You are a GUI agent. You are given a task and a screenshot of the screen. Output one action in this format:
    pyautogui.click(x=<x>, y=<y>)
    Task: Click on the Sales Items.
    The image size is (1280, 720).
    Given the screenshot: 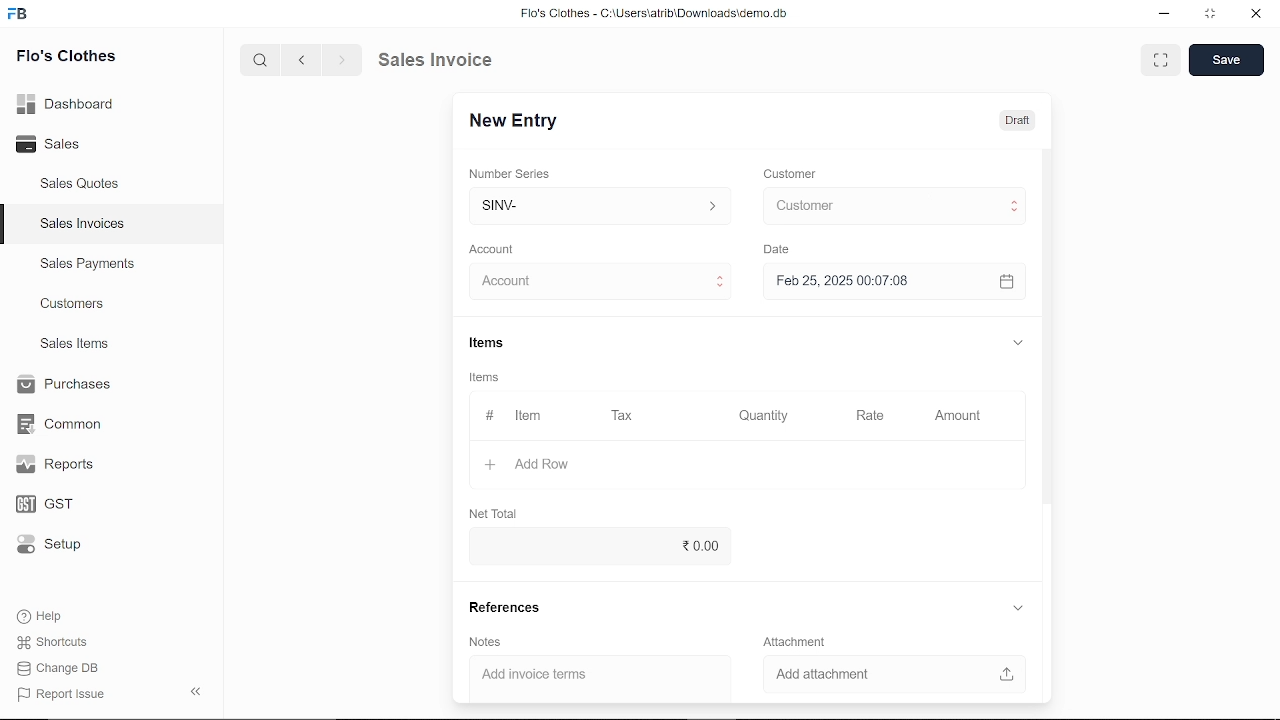 What is the action you would take?
    pyautogui.click(x=76, y=345)
    